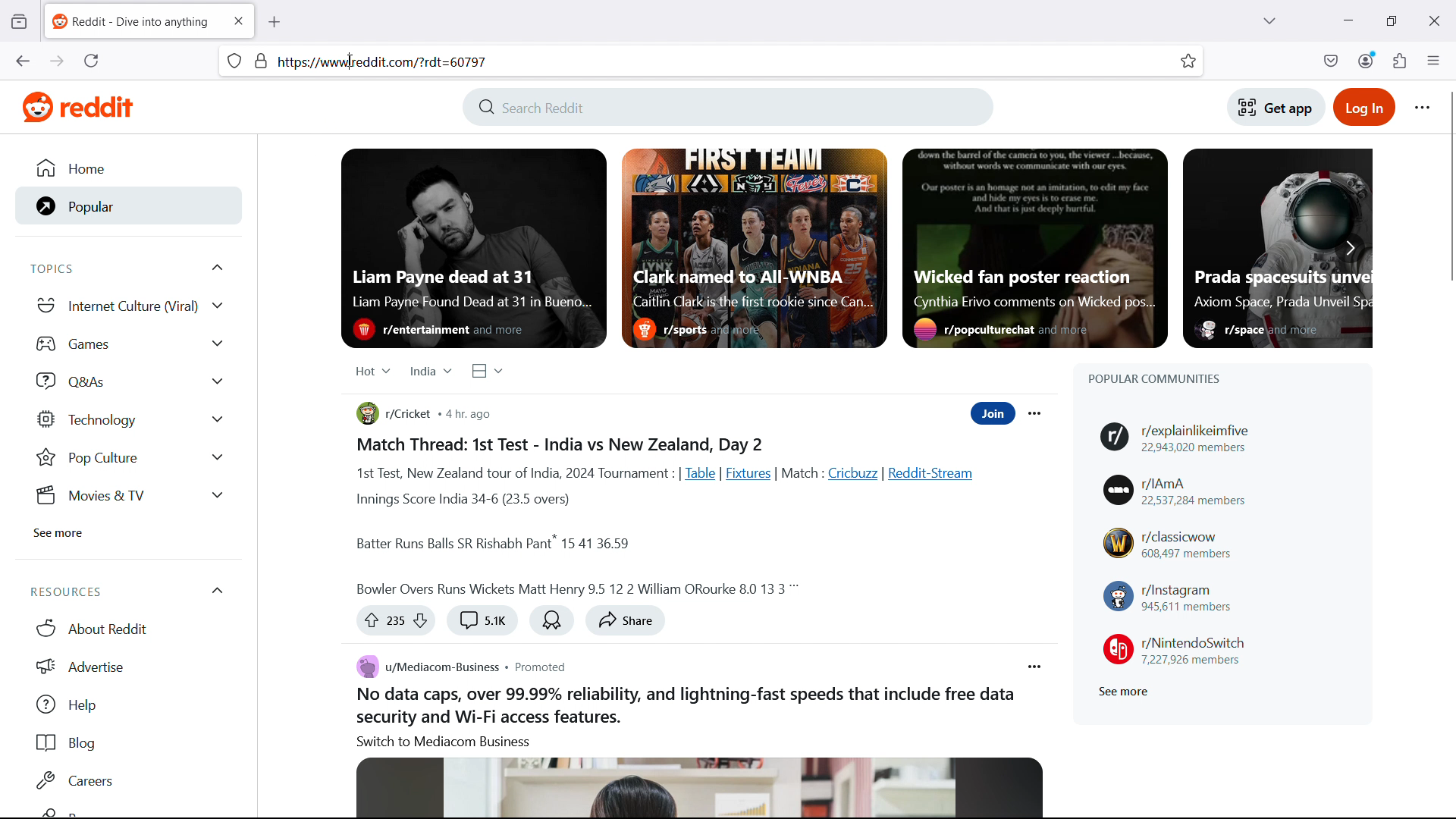 The width and height of the screenshot is (1456, 819). What do you see at coordinates (1034, 248) in the screenshot?
I see `Featured post 3` at bounding box center [1034, 248].